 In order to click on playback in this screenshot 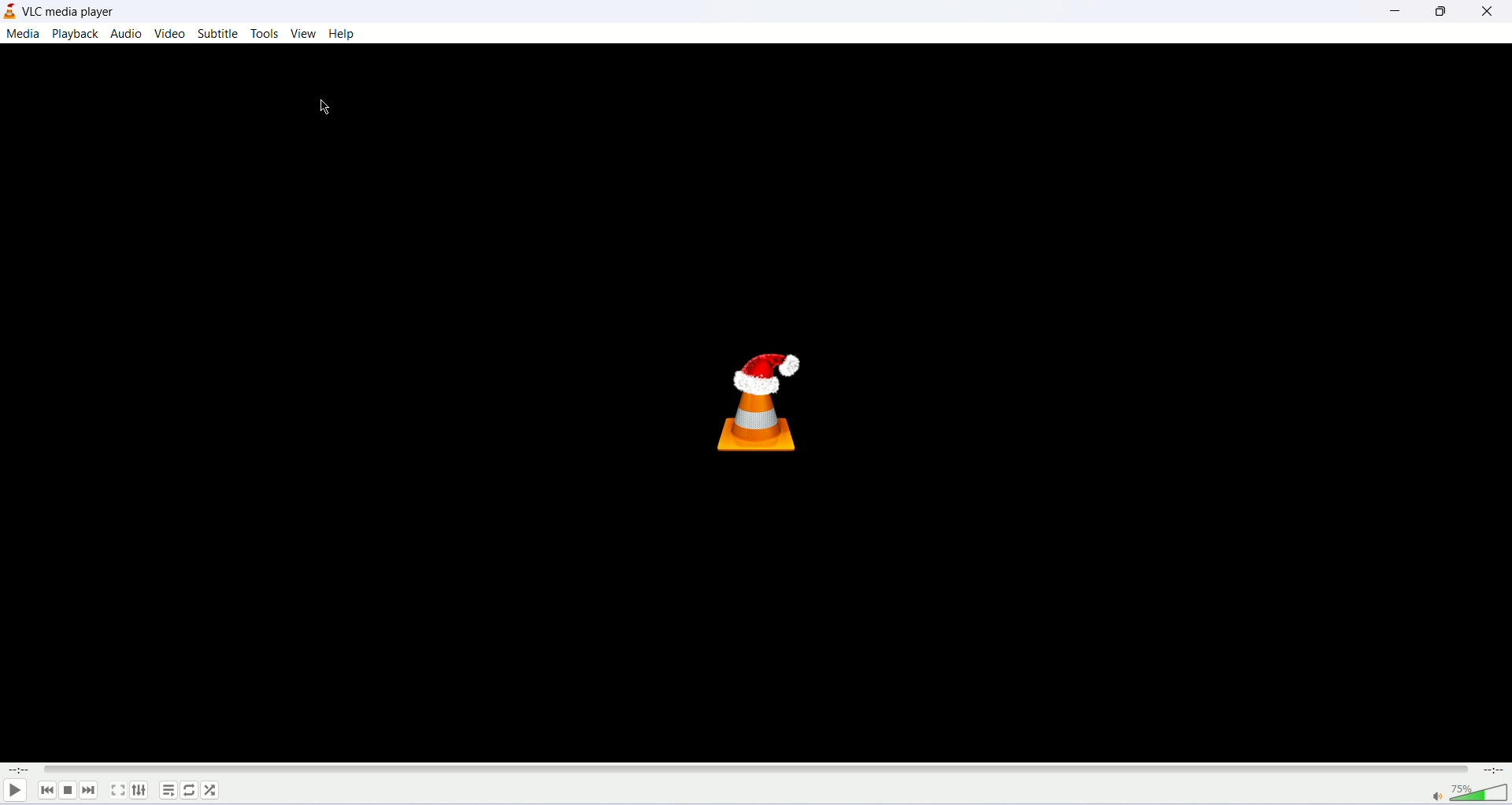, I will do `click(74, 34)`.